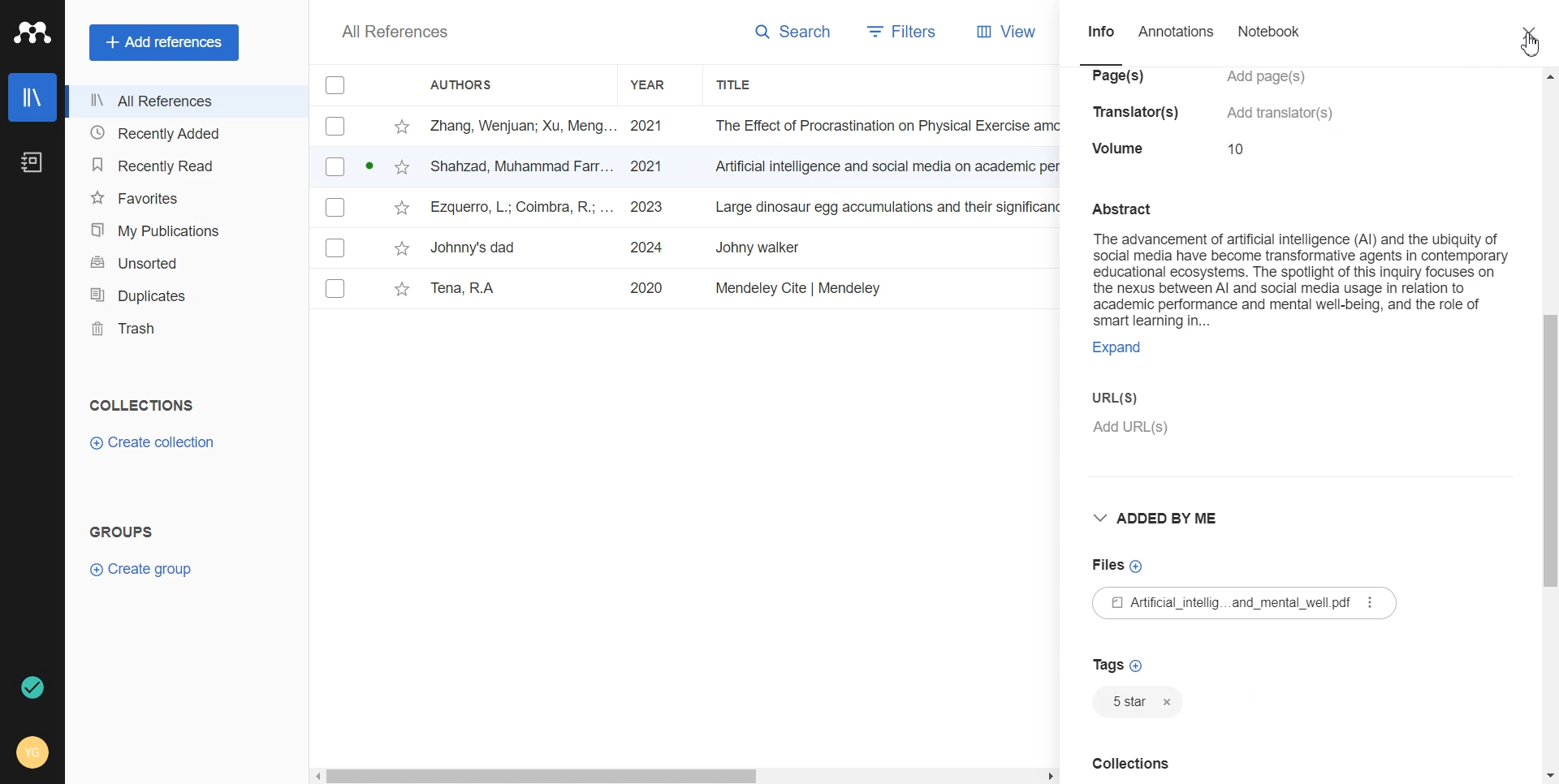 The width and height of the screenshot is (1559, 784). I want to click on Files, so click(1116, 566).